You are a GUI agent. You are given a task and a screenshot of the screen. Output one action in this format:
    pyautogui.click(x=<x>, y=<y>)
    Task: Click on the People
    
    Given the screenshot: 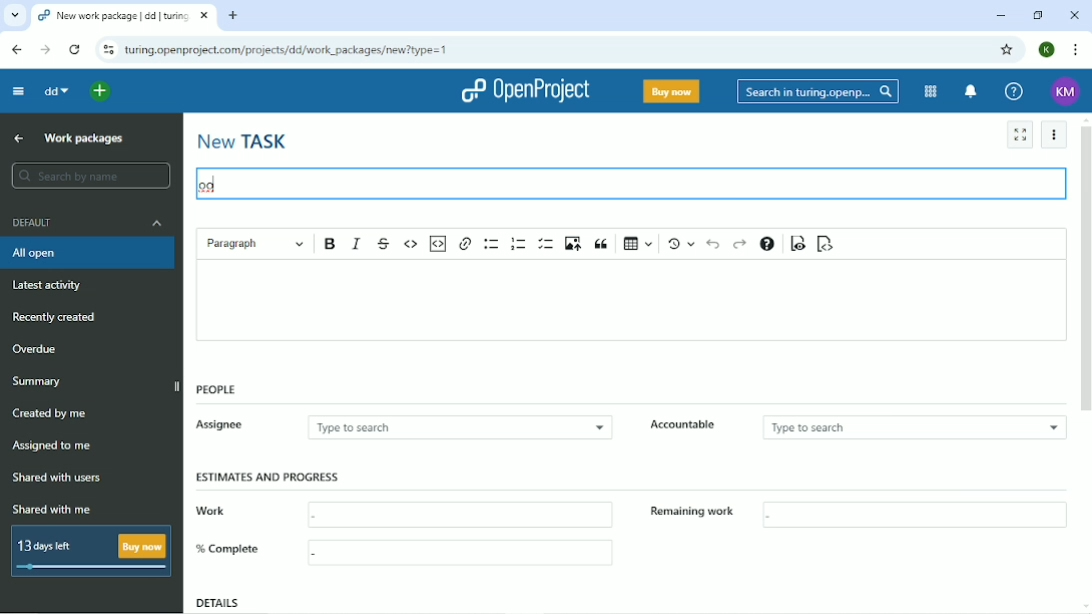 What is the action you would take?
    pyautogui.click(x=216, y=389)
    